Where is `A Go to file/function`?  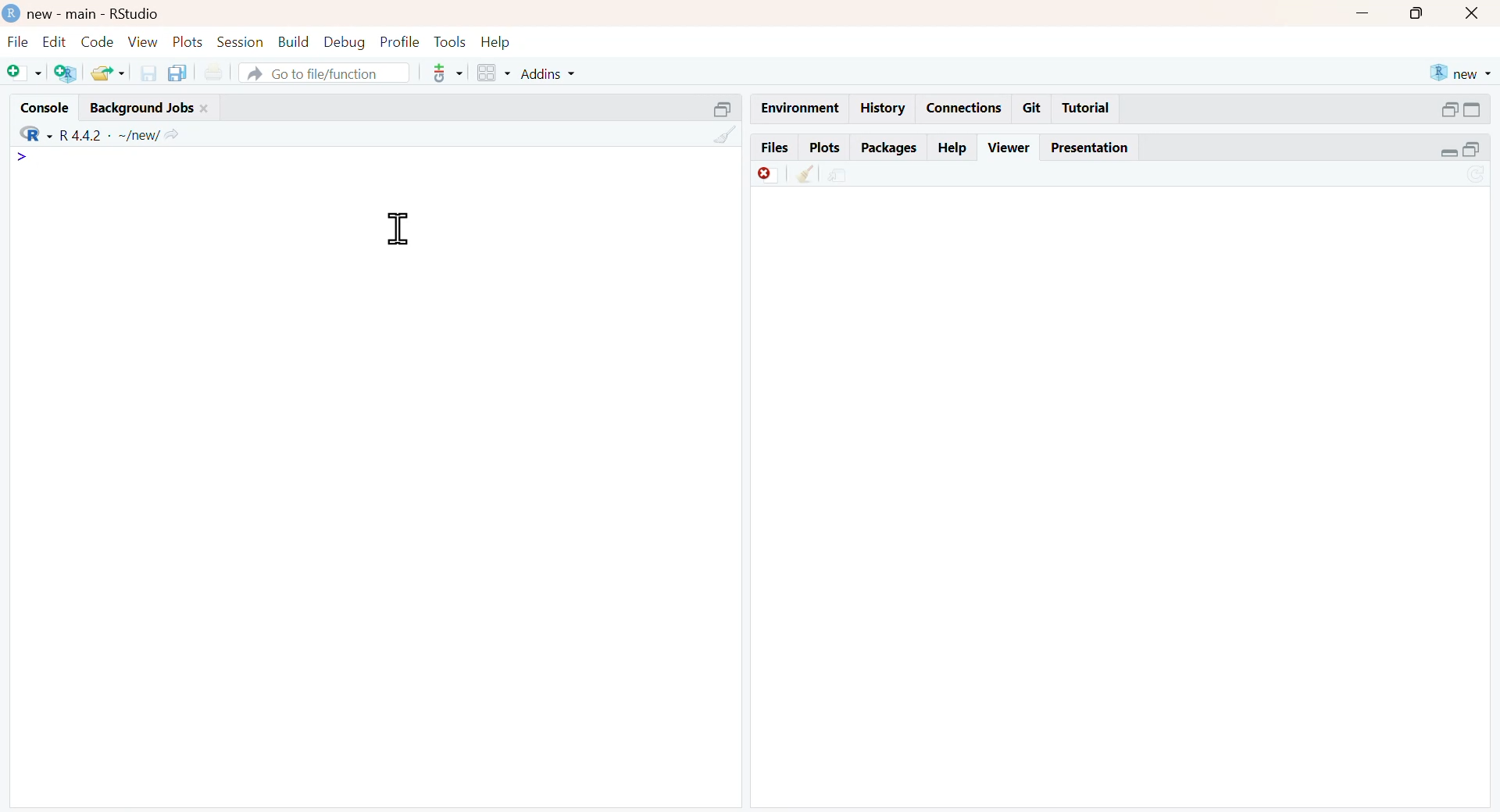 A Go to file/function is located at coordinates (323, 73).